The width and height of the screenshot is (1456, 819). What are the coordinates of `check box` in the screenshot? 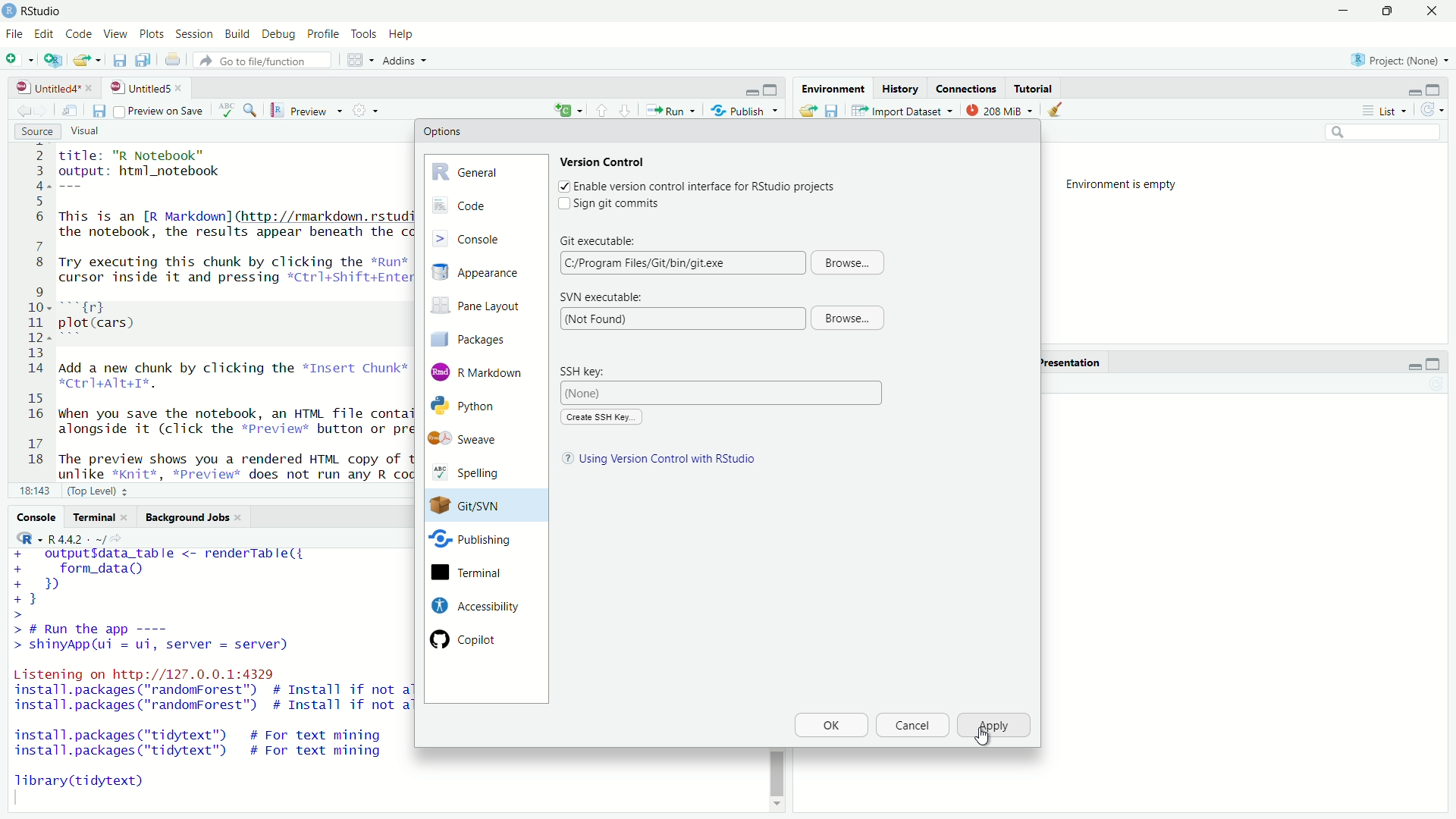 It's located at (560, 204).